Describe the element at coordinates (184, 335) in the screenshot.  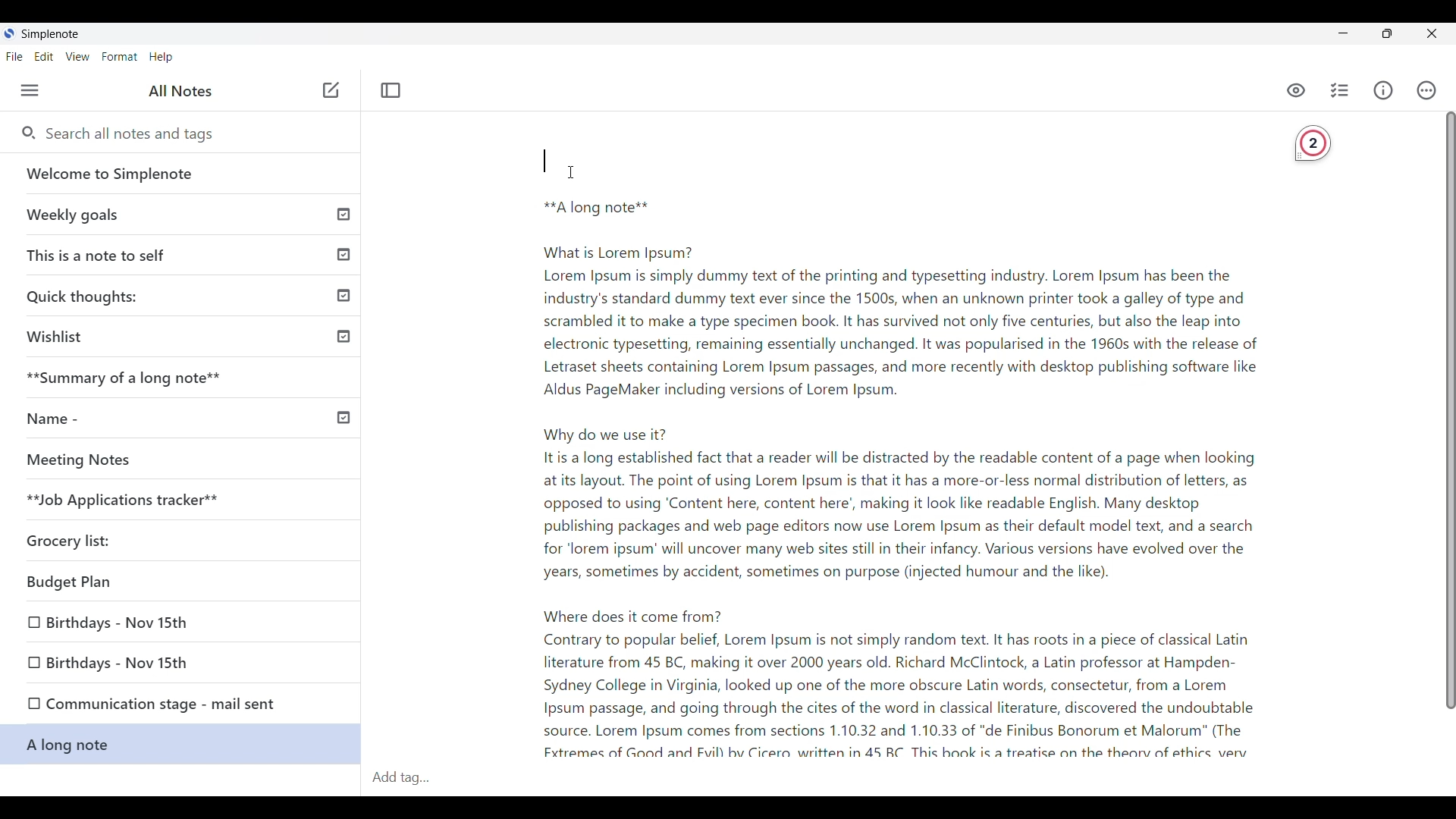
I see `Wishlist` at that location.